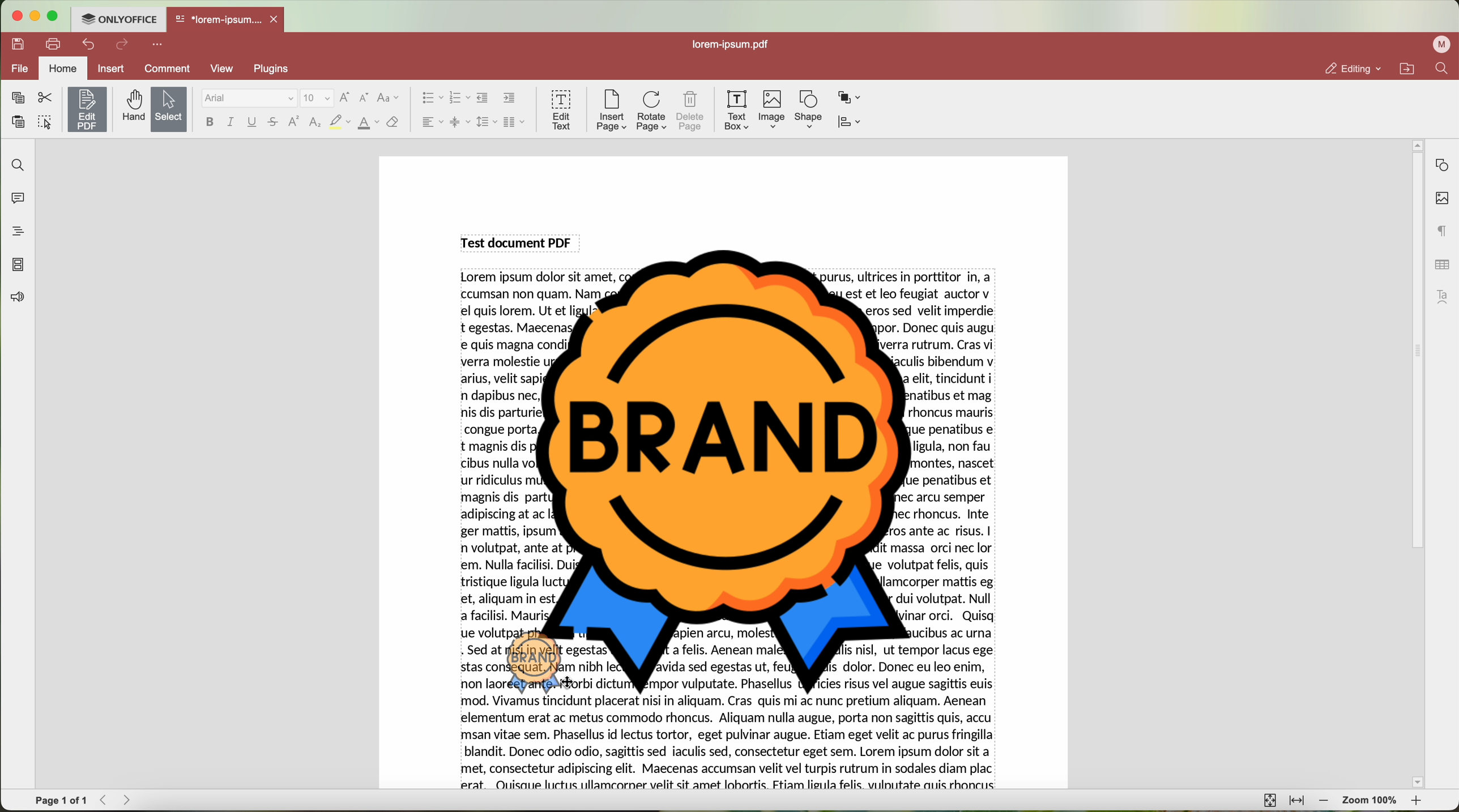 The width and height of the screenshot is (1459, 812). What do you see at coordinates (611, 110) in the screenshot?
I see `insert page` at bounding box center [611, 110].